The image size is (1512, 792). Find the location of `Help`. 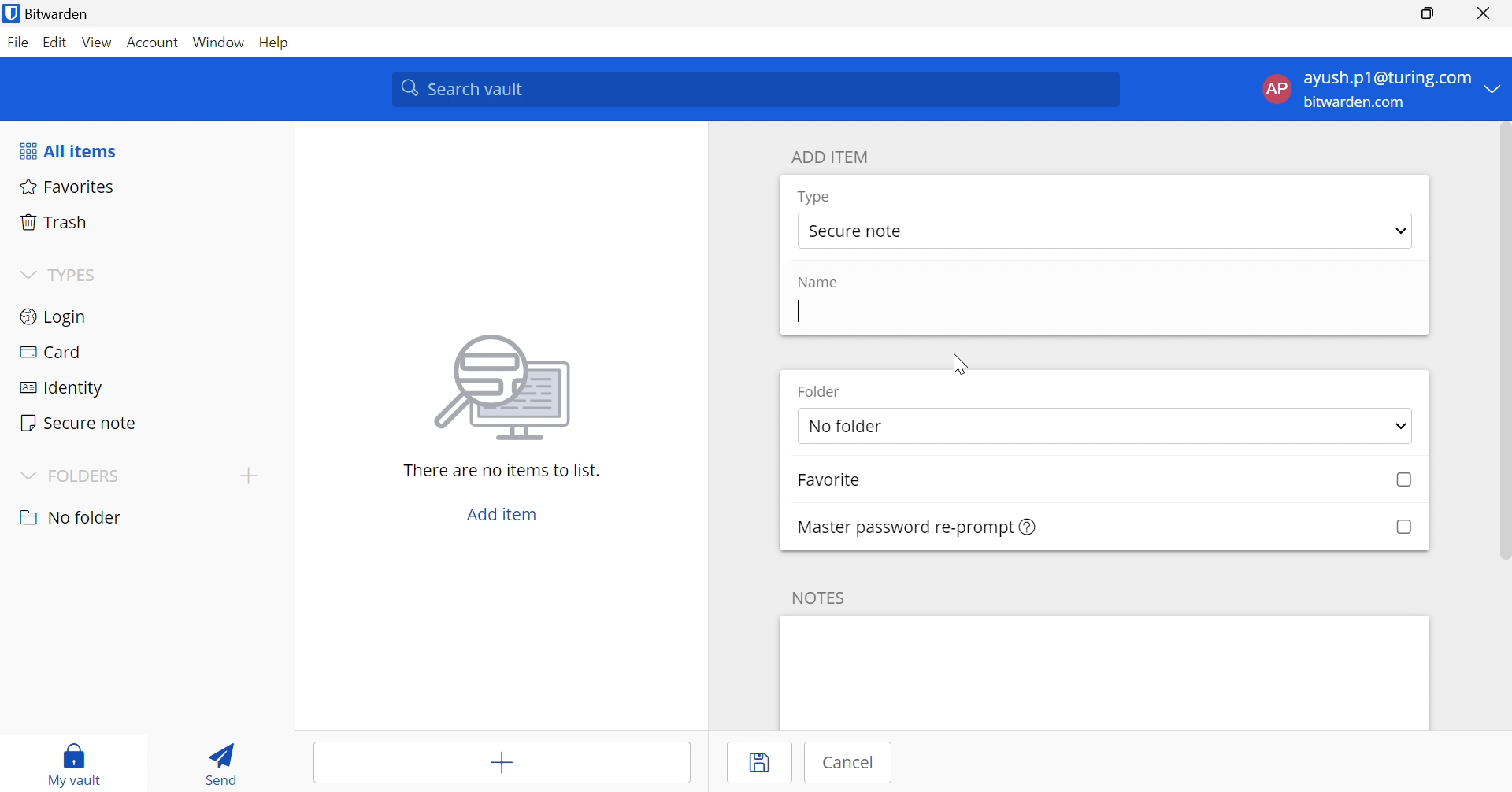

Help is located at coordinates (281, 43).